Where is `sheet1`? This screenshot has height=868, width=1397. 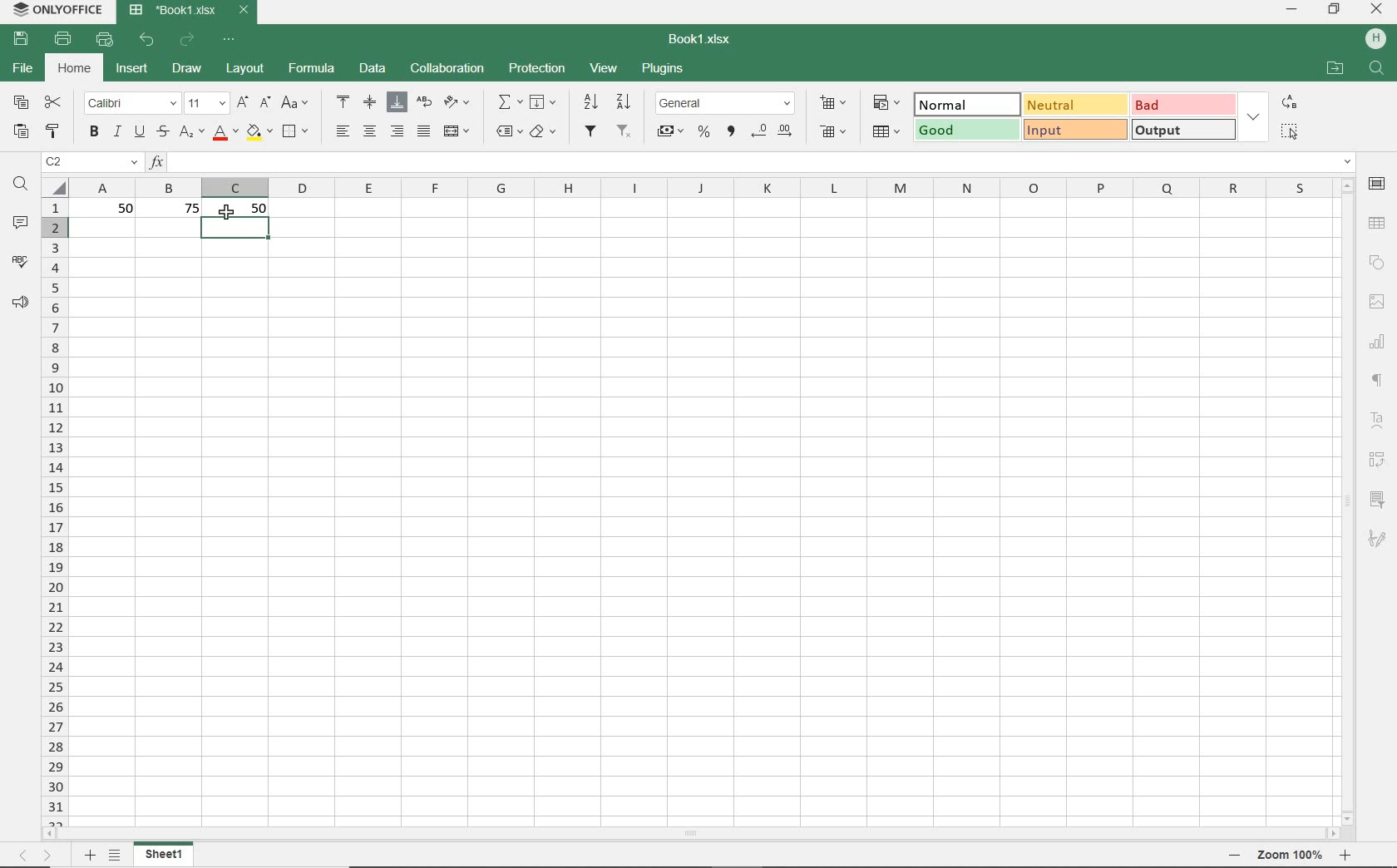
sheet1 is located at coordinates (167, 854).